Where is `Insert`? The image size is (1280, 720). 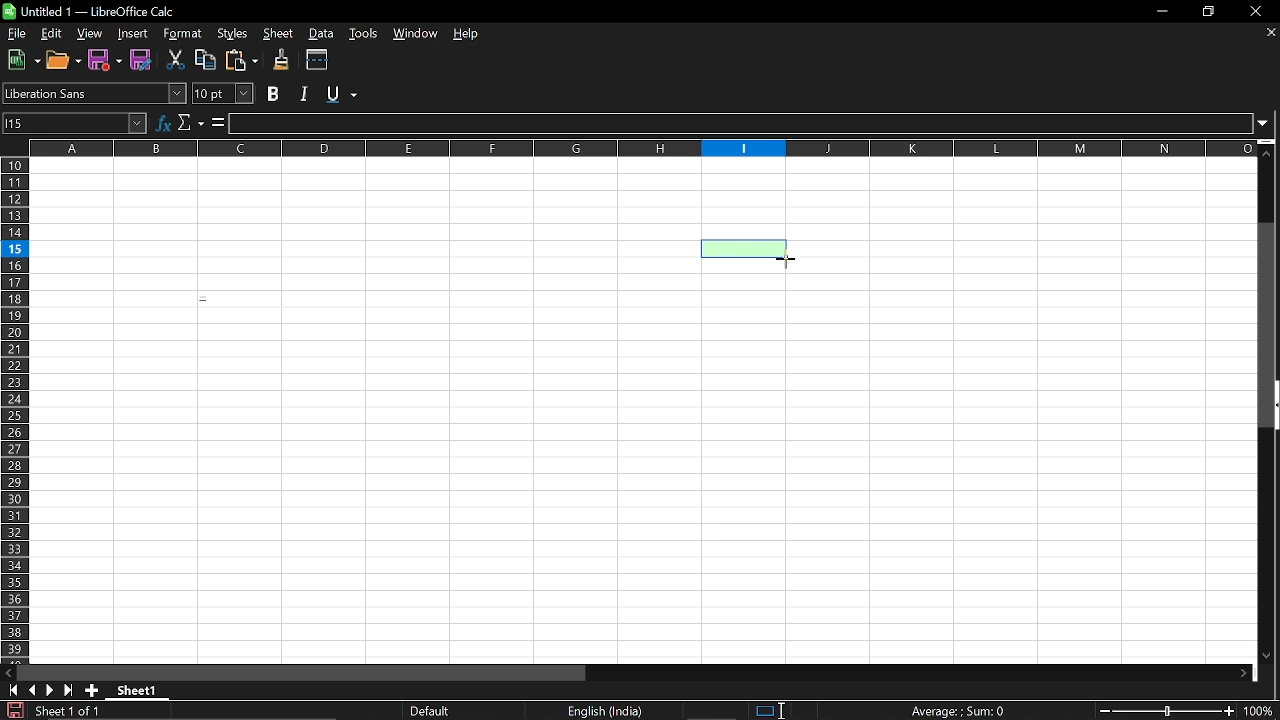
Insert is located at coordinates (134, 33).